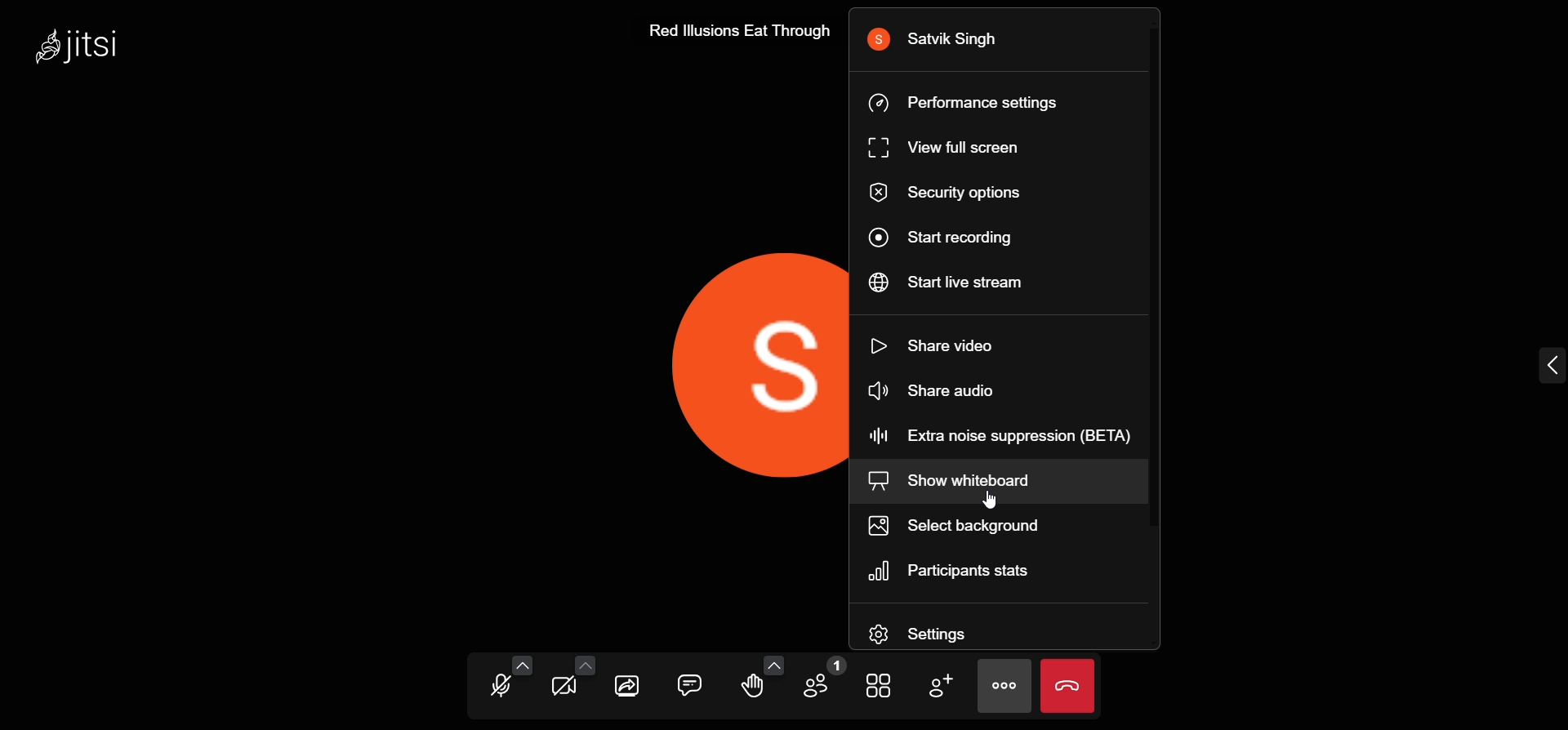  Describe the element at coordinates (952, 149) in the screenshot. I see `view full screen` at that location.